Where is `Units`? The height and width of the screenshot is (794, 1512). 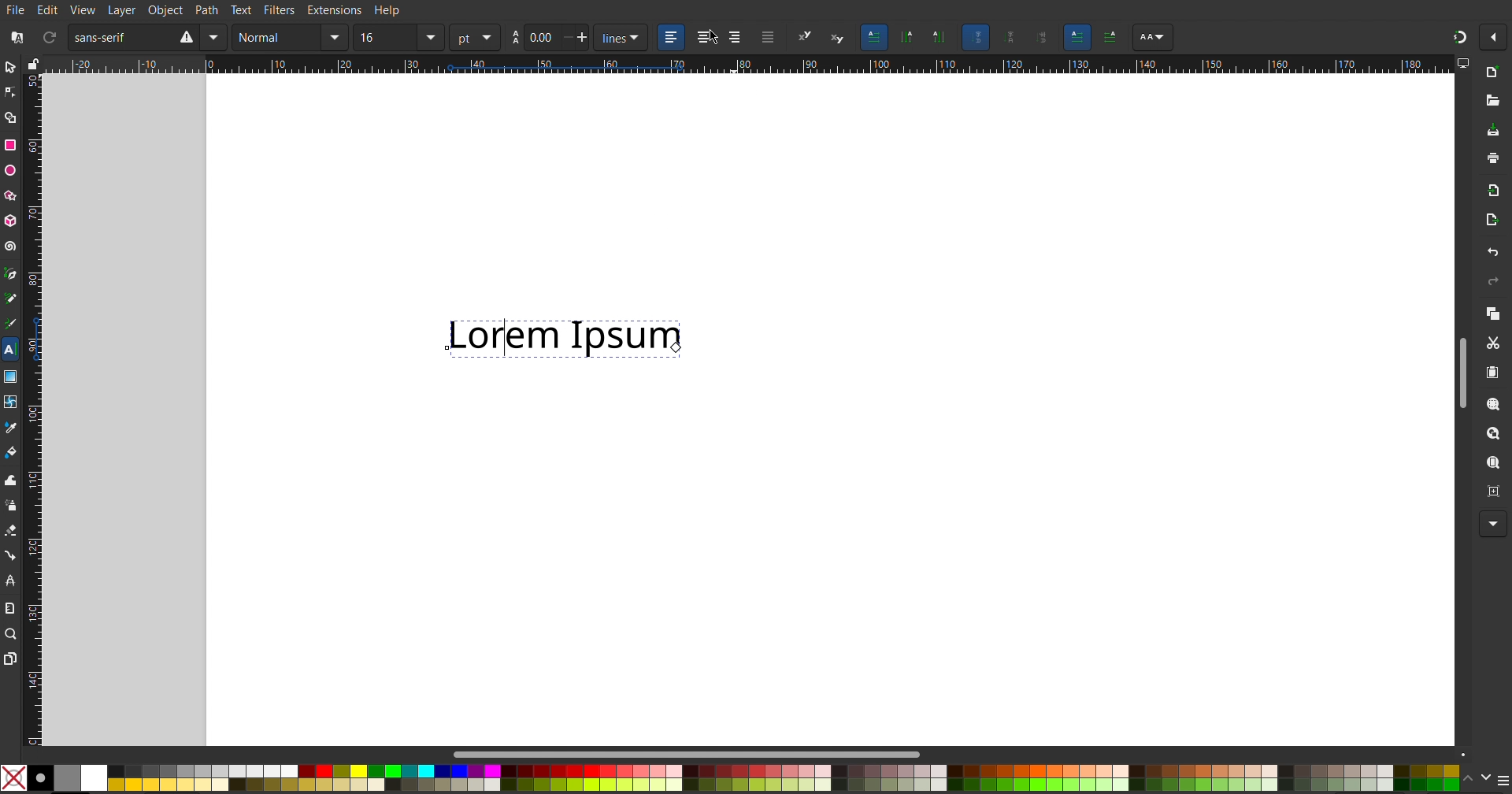 Units is located at coordinates (484, 37).